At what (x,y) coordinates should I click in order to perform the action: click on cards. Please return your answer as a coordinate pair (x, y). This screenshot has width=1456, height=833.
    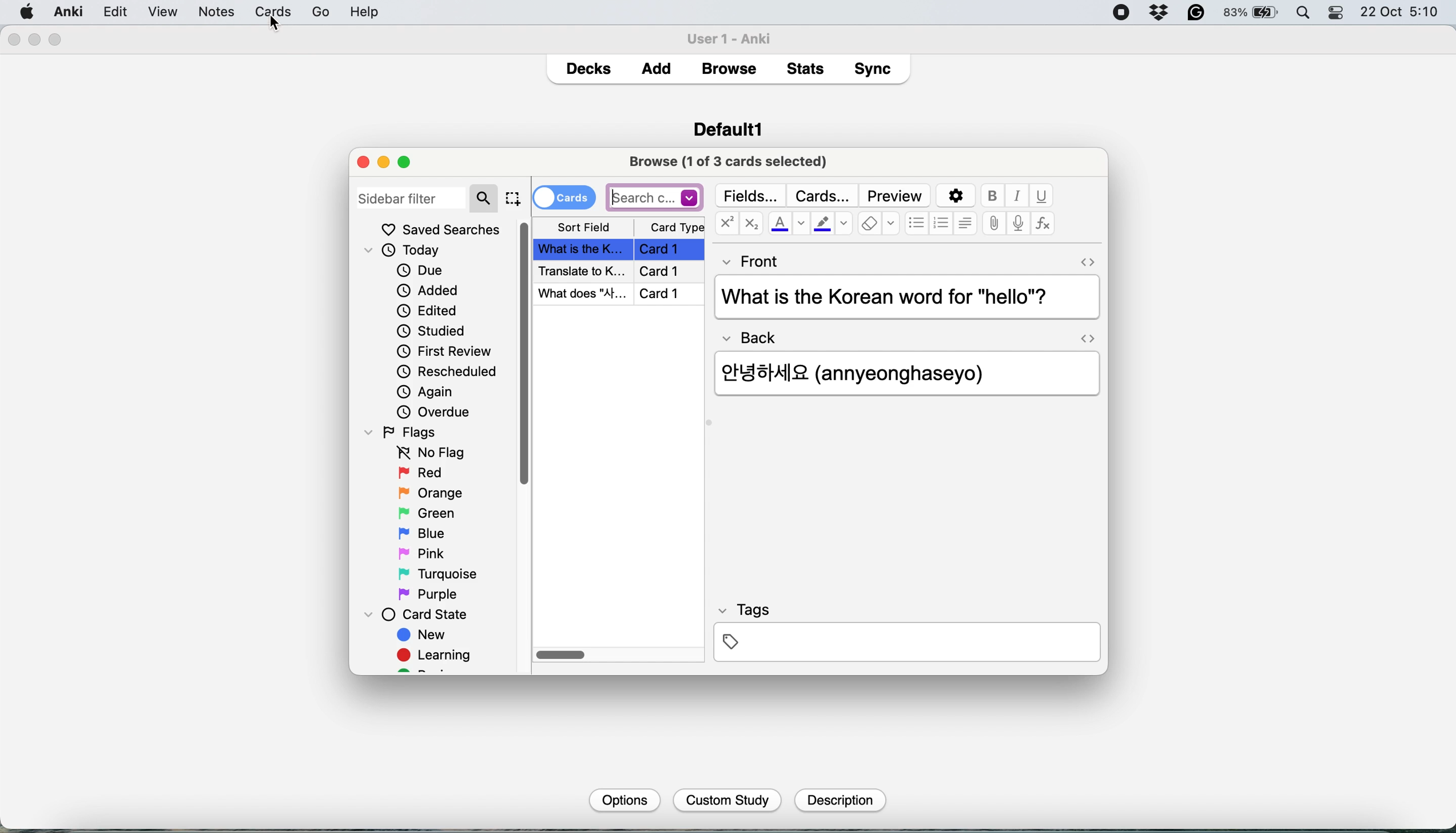
    Looking at the image, I should click on (822, 196).